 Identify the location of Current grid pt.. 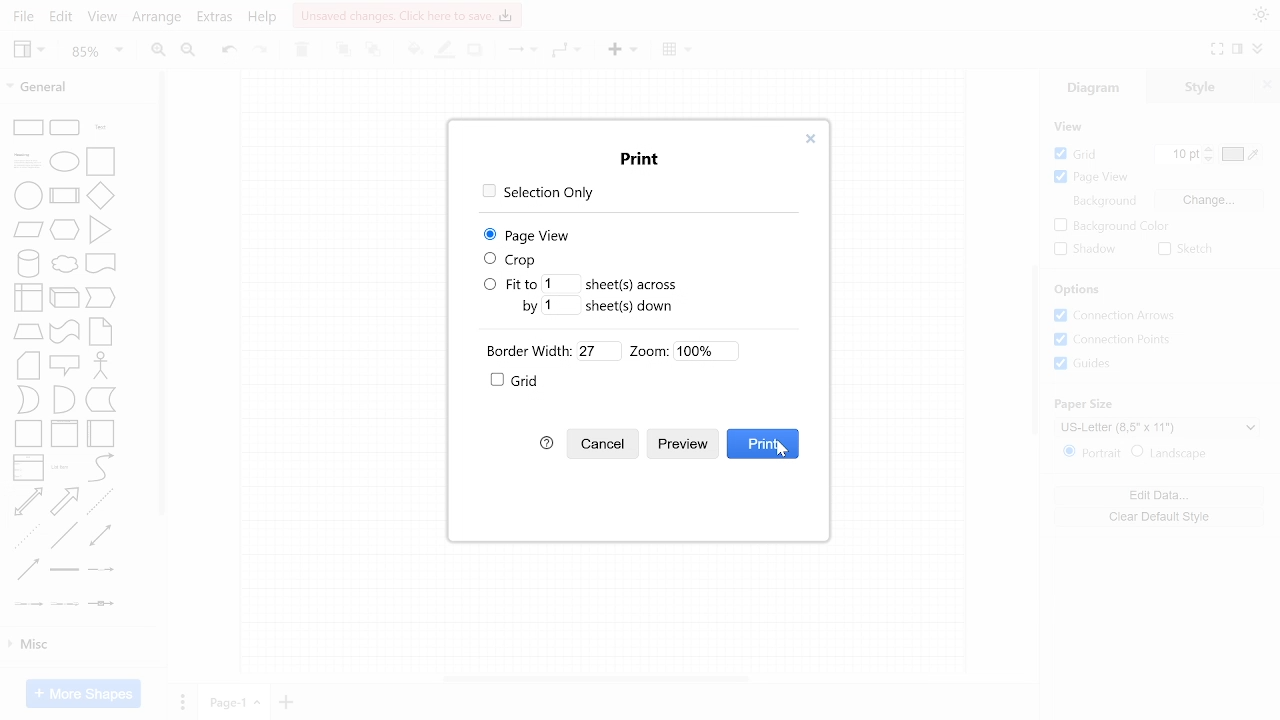
(1177, 154).